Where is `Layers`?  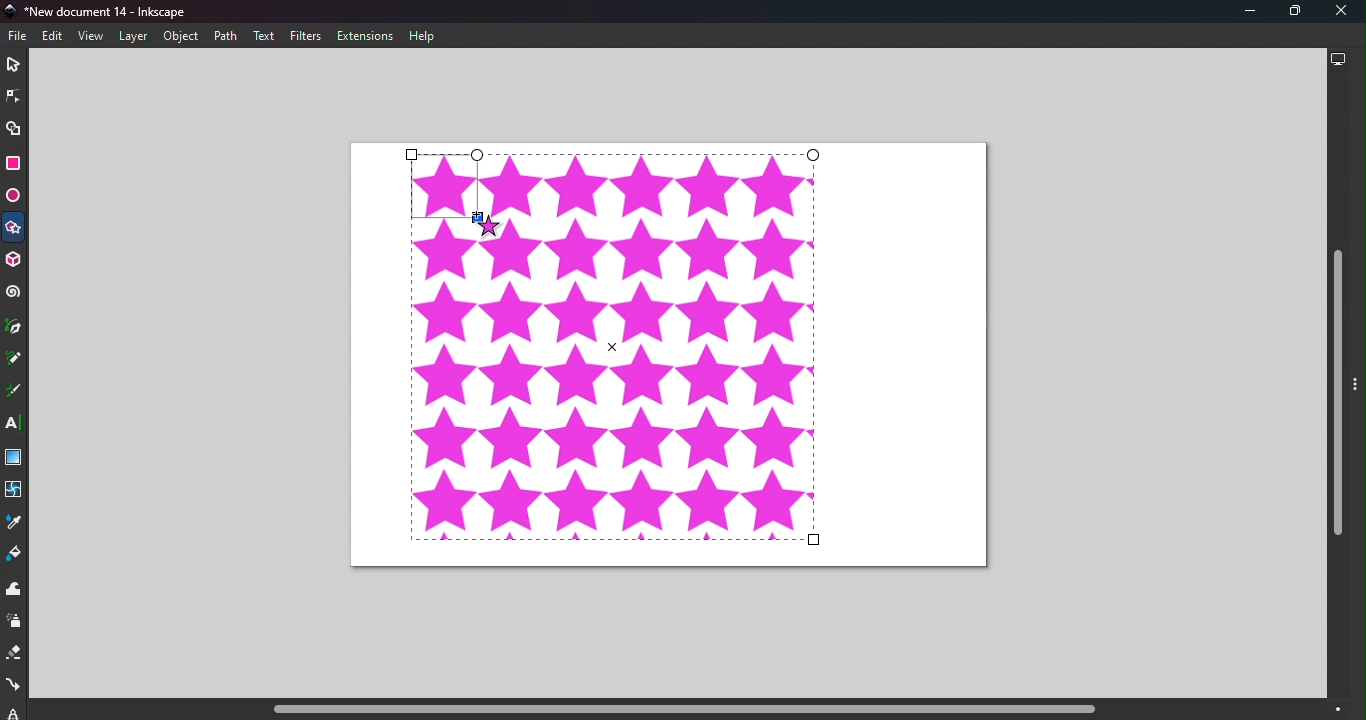 Layers is located at coordinates (132, 37).